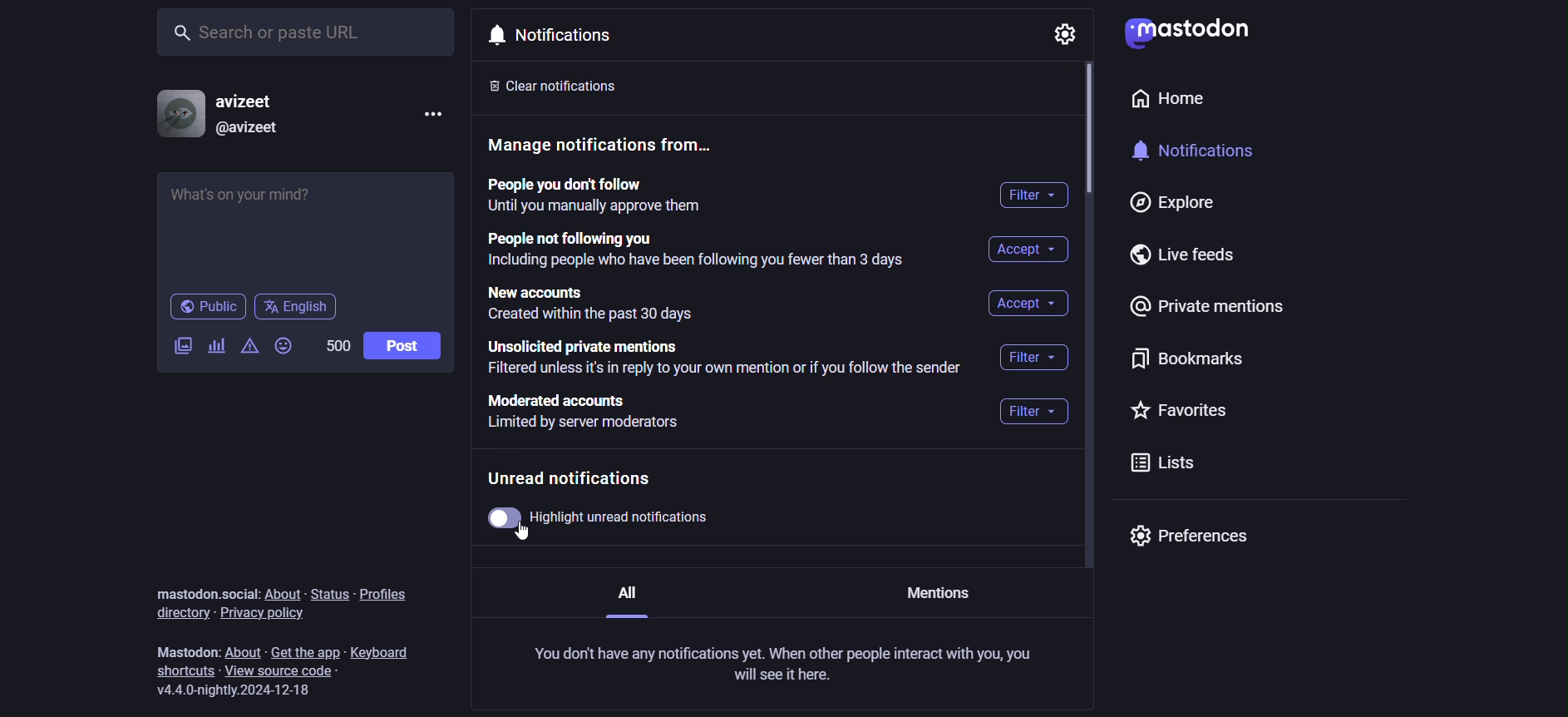 The width and height of the screenshot is (1568, 717). What do you see at coordinates (298, 309) in the screenshot?
I see `language English` at bounding box center [298, 309].